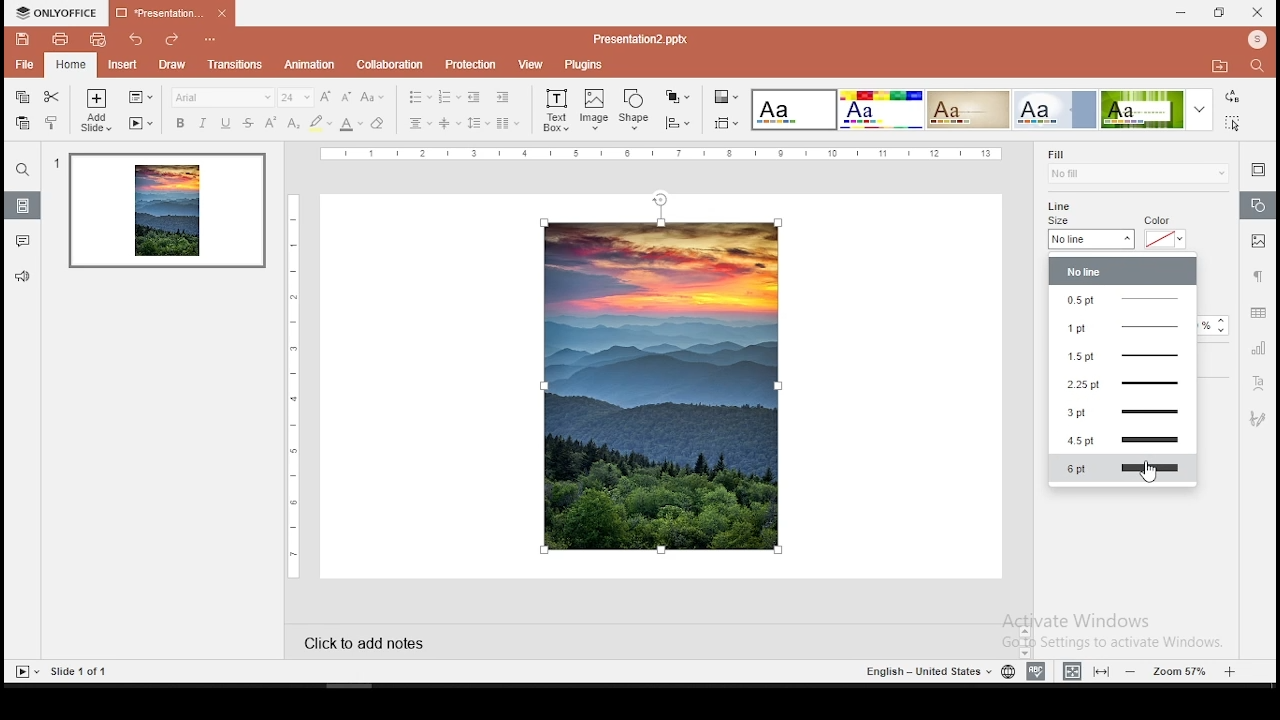  I want to click on background fill, so click(1137, 166).